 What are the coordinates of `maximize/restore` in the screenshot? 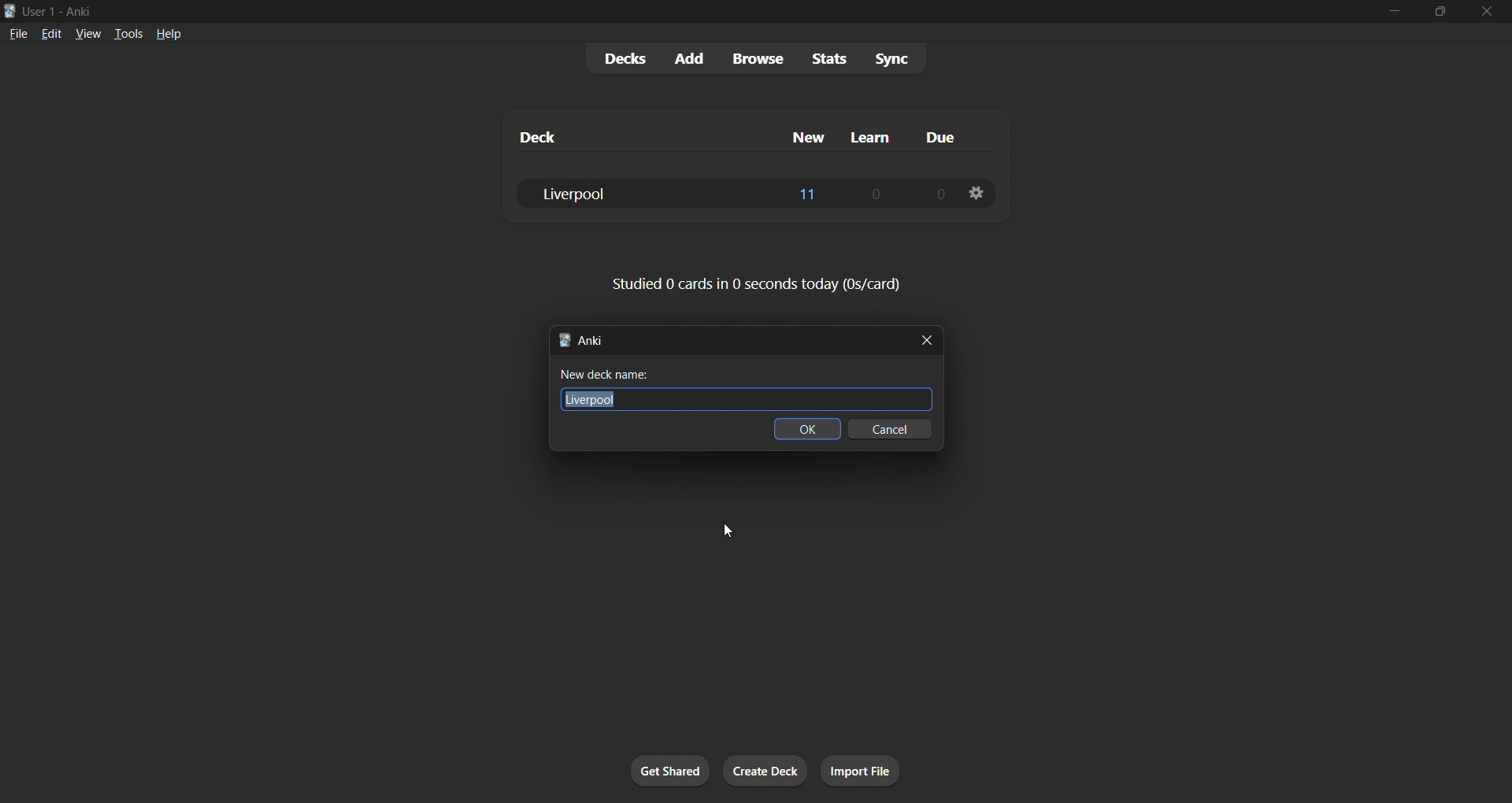 It's located at (1443, 12).